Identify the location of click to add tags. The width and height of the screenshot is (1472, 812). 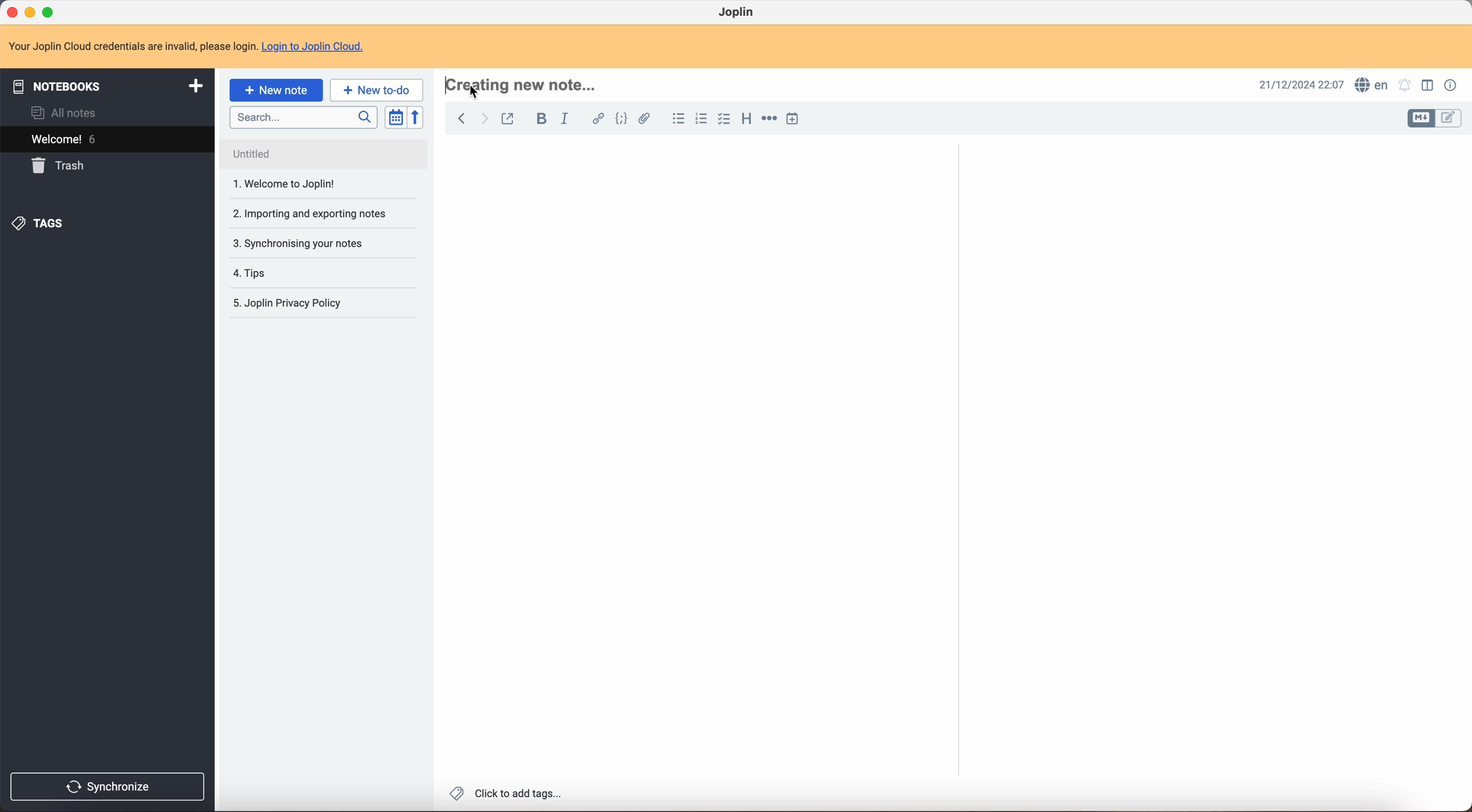
(504, 795).